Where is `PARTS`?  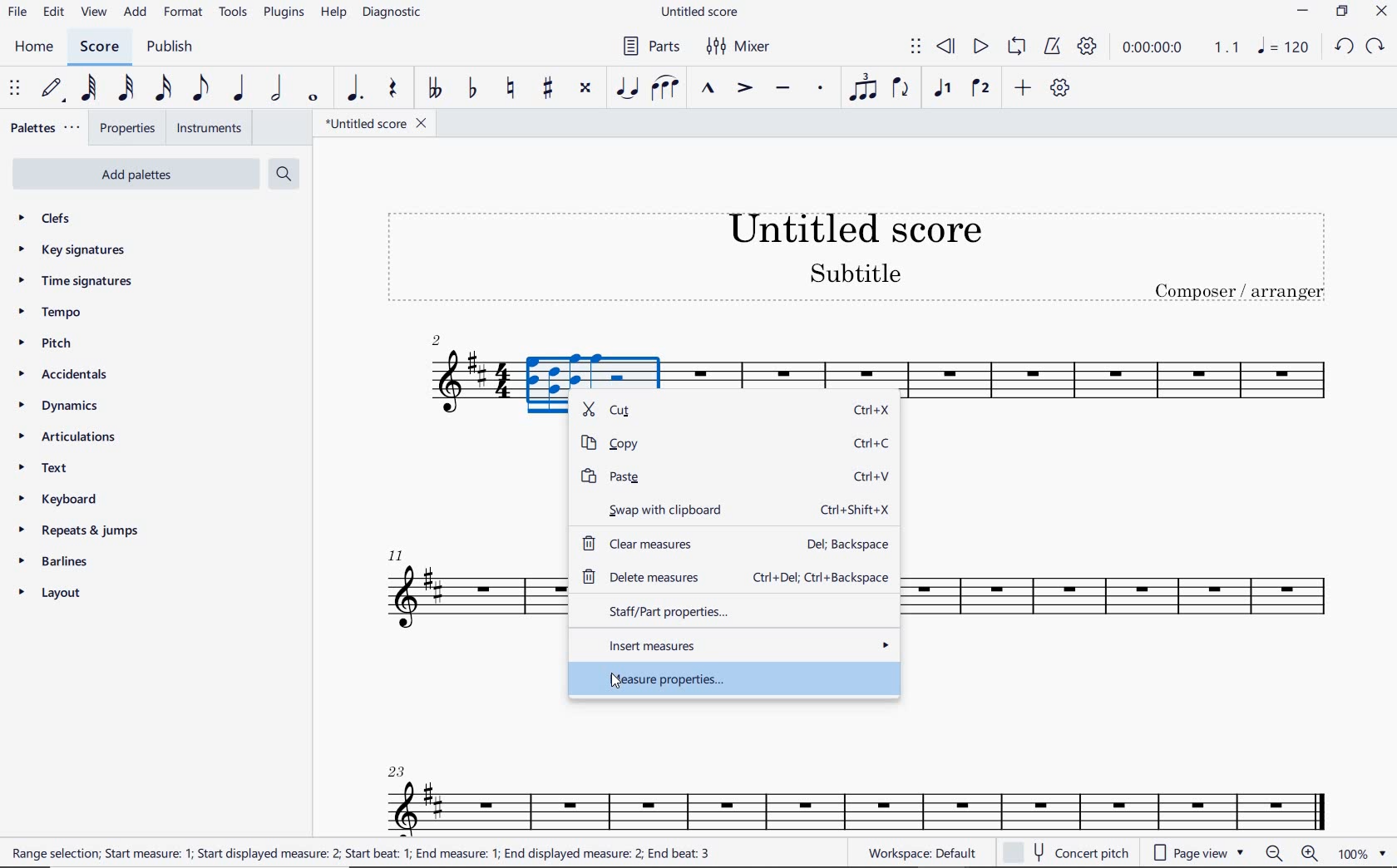
PARTS is located at coordinates (650, 45).